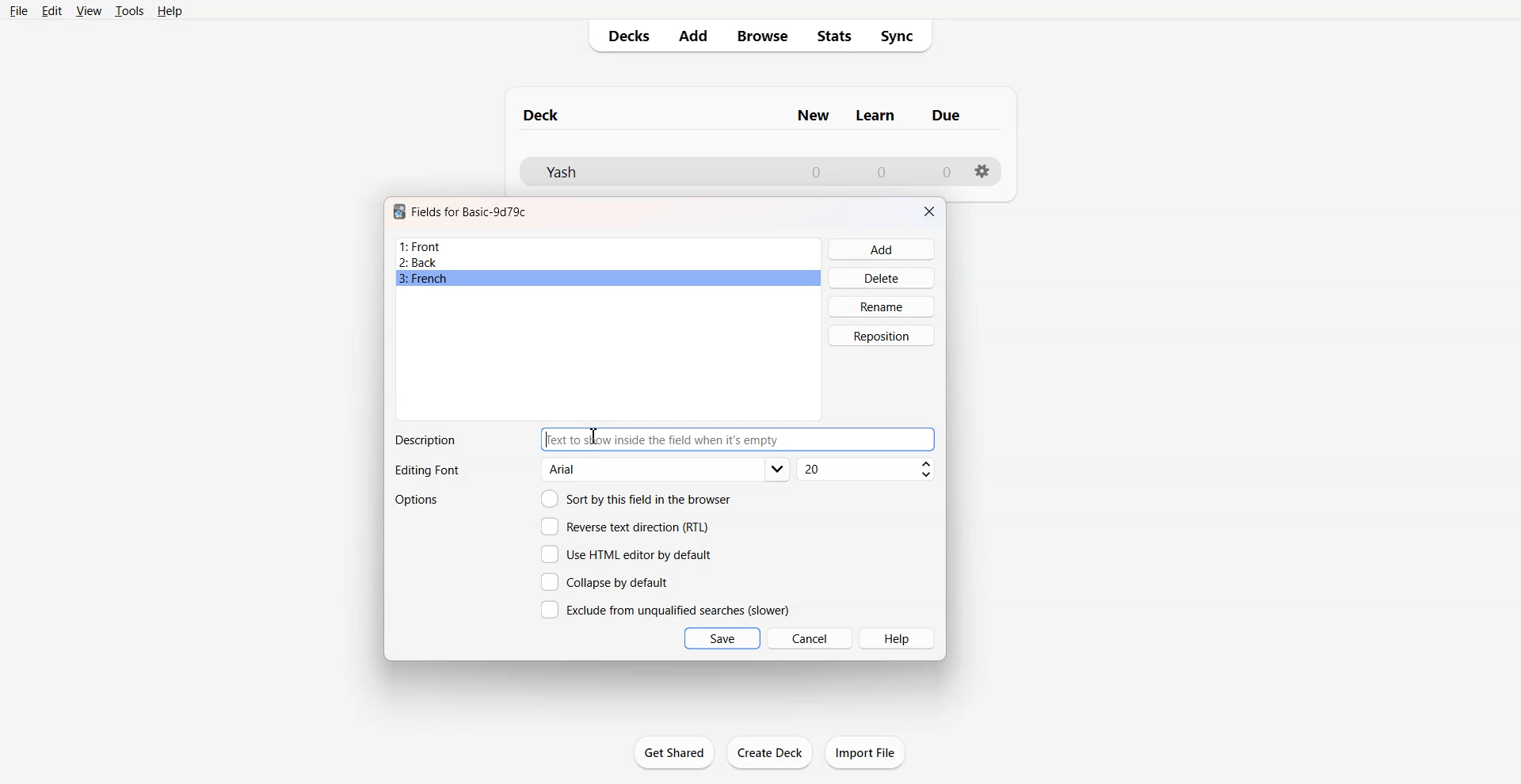  I want to click on Back, so click(608, 262).